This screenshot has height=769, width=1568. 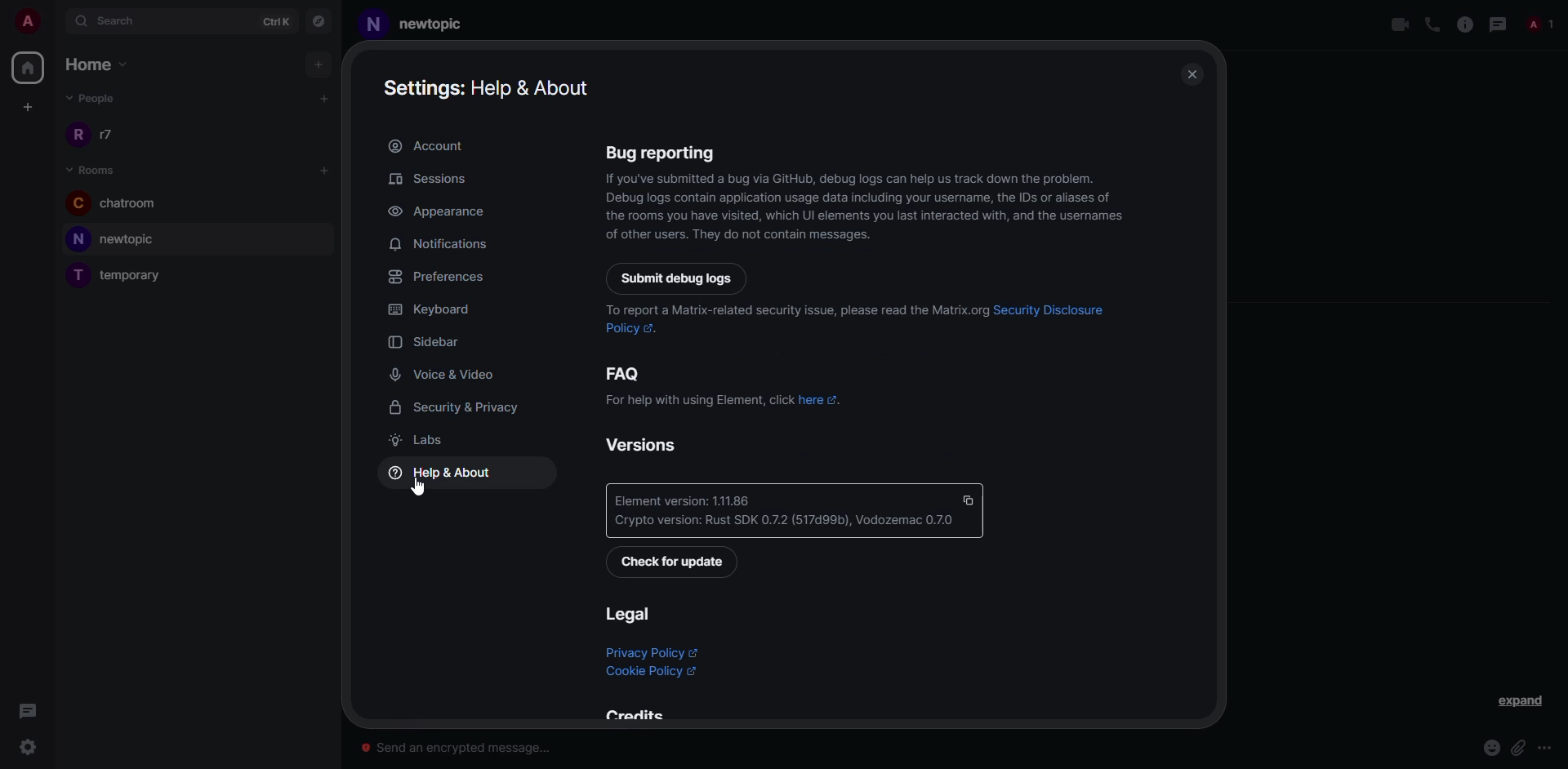 What do you see at coordinates (822, 399) in the screenshot?
I see `here` at bounding box center [822, 399].